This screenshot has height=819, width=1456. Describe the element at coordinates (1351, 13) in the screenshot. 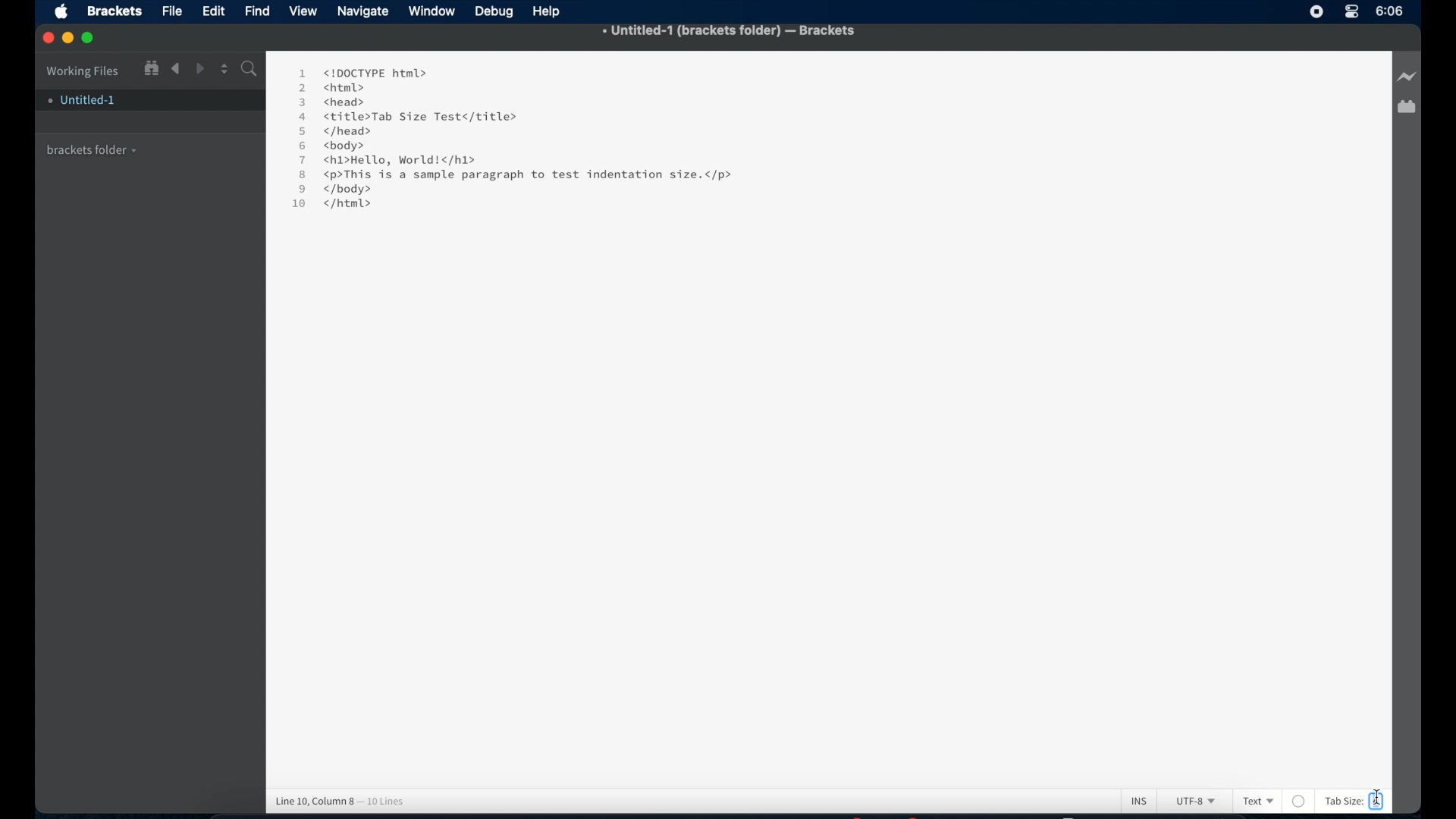

I see `Recording` at that location.